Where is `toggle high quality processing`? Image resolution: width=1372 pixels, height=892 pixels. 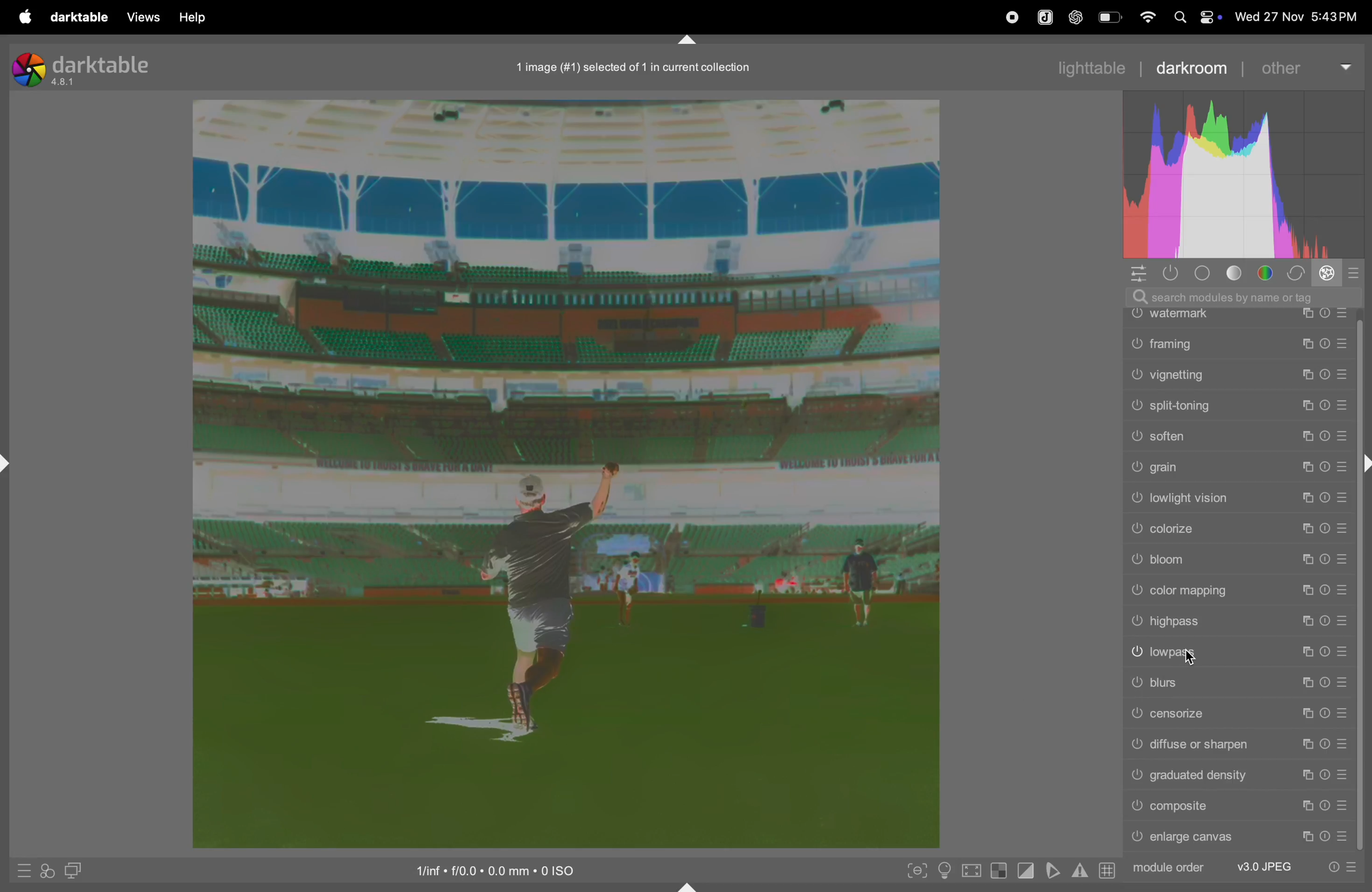 toggle high quality processing is located at coordinates (974, 870).